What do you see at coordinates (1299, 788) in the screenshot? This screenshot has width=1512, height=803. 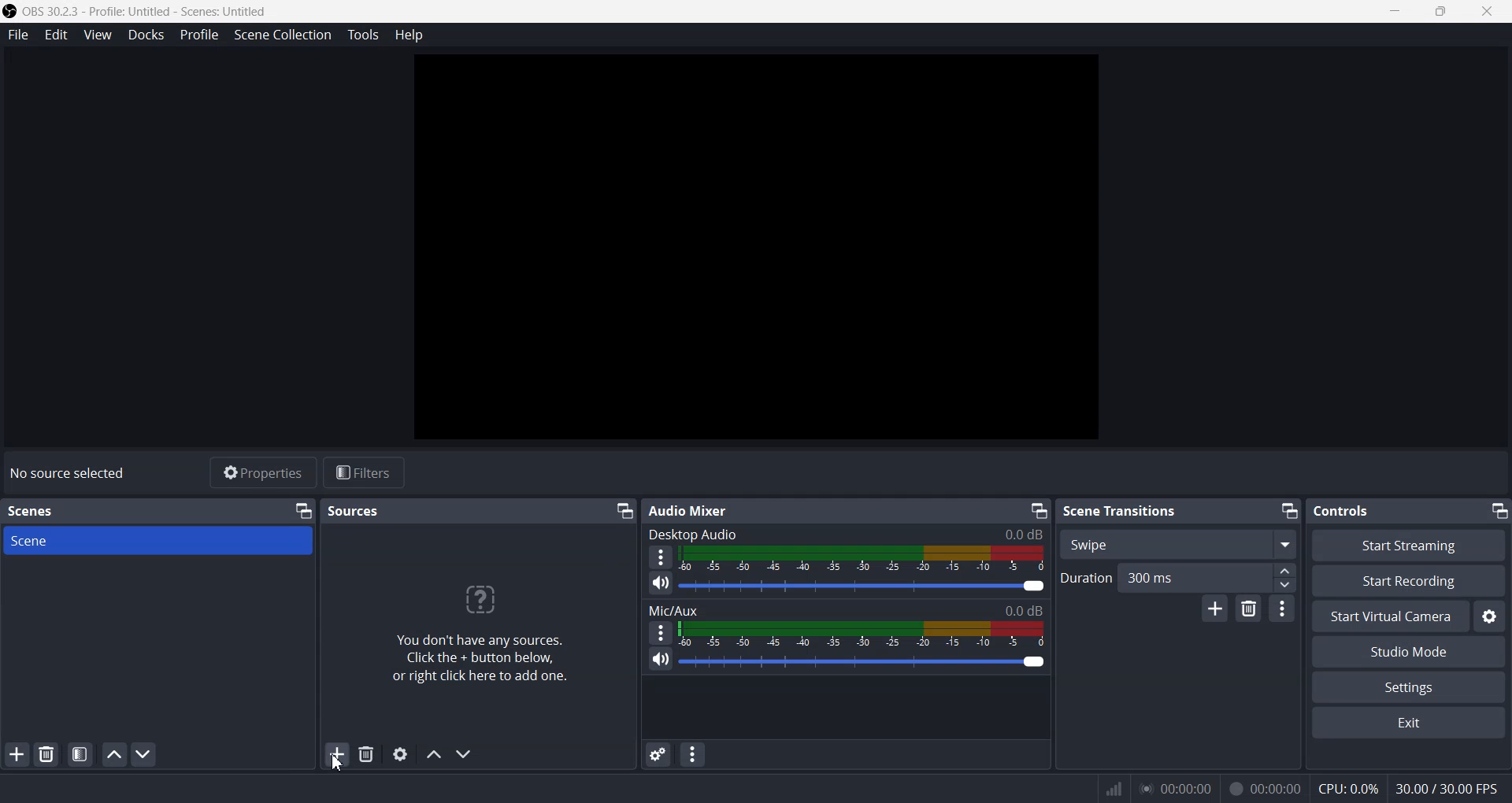 I see `Text` at bounding box center [1299, 788].